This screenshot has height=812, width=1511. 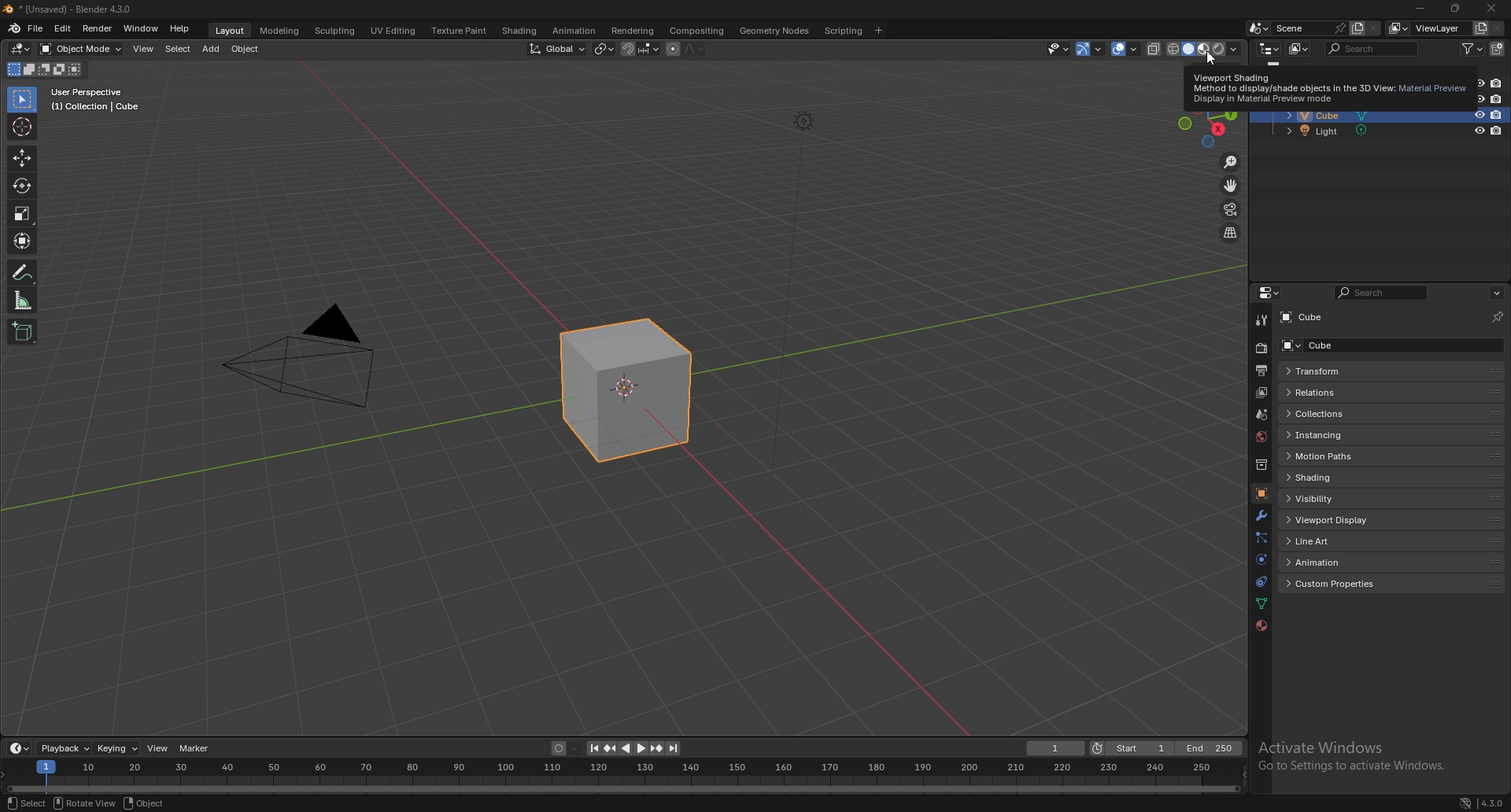 What do you see at coordinates (1261, 516) in the screenshot?
I see `modifier` at bounding box center [1261, 516].